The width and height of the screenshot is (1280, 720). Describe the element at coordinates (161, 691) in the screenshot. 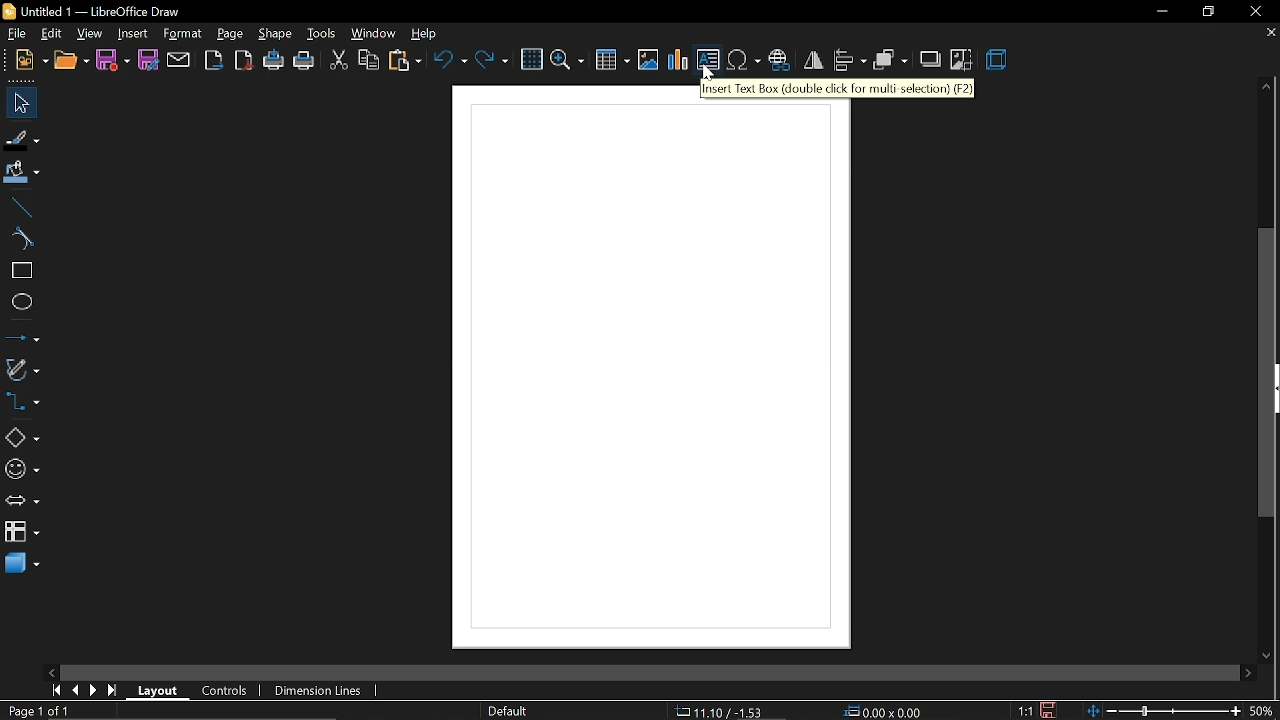

I see `layout` at that location.